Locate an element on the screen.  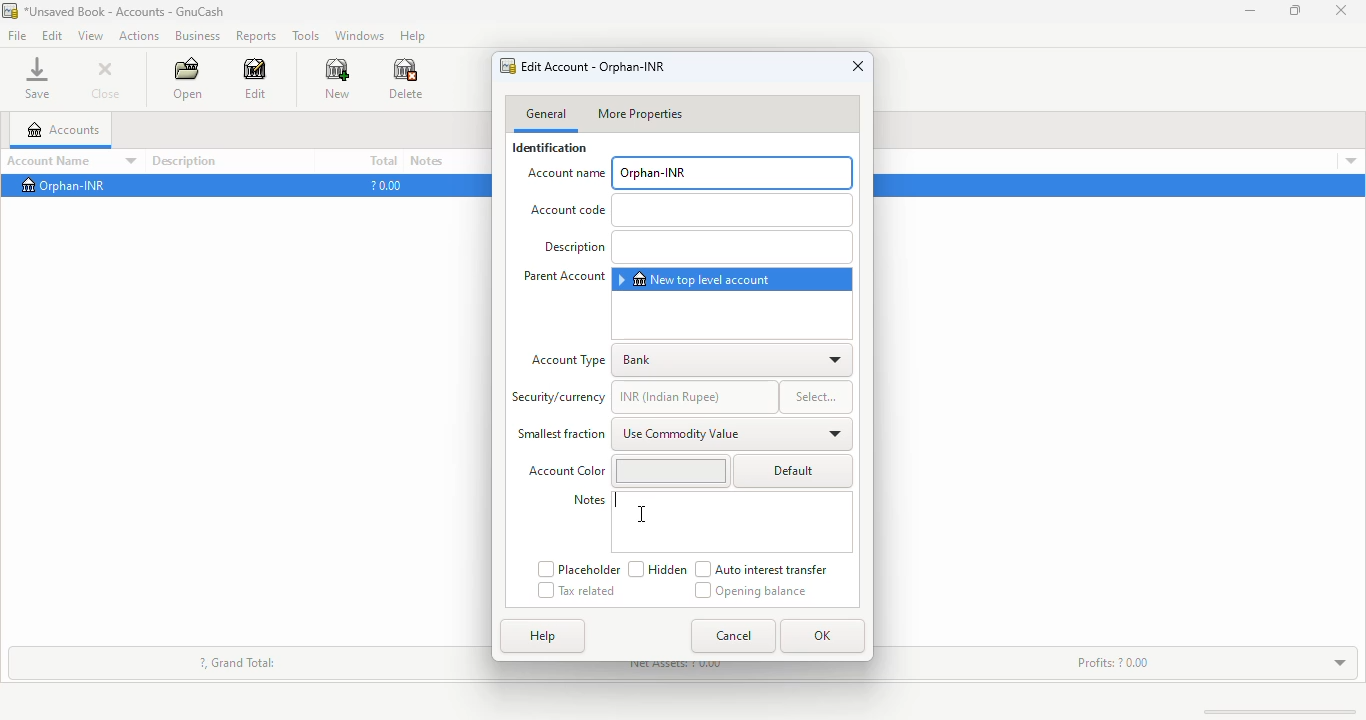
add description is located at coordinates (730, 248).